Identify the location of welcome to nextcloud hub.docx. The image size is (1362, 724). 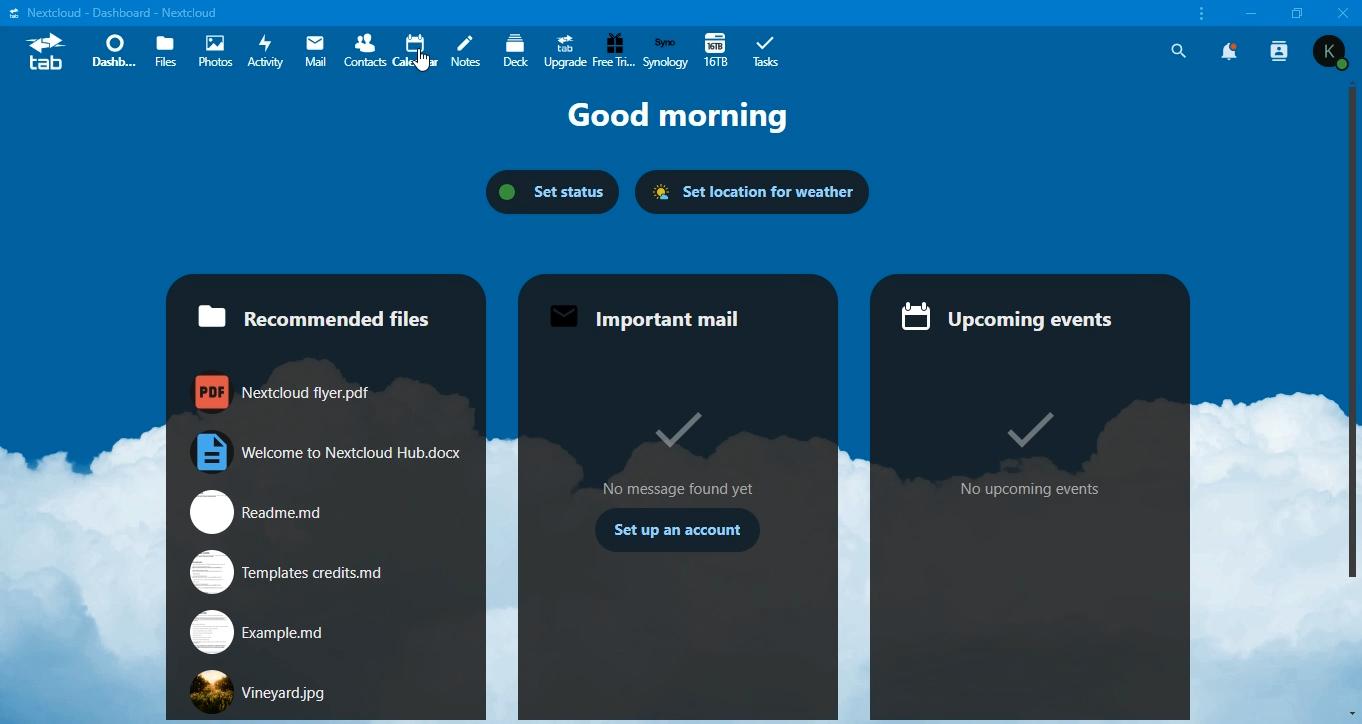
(331, 452).